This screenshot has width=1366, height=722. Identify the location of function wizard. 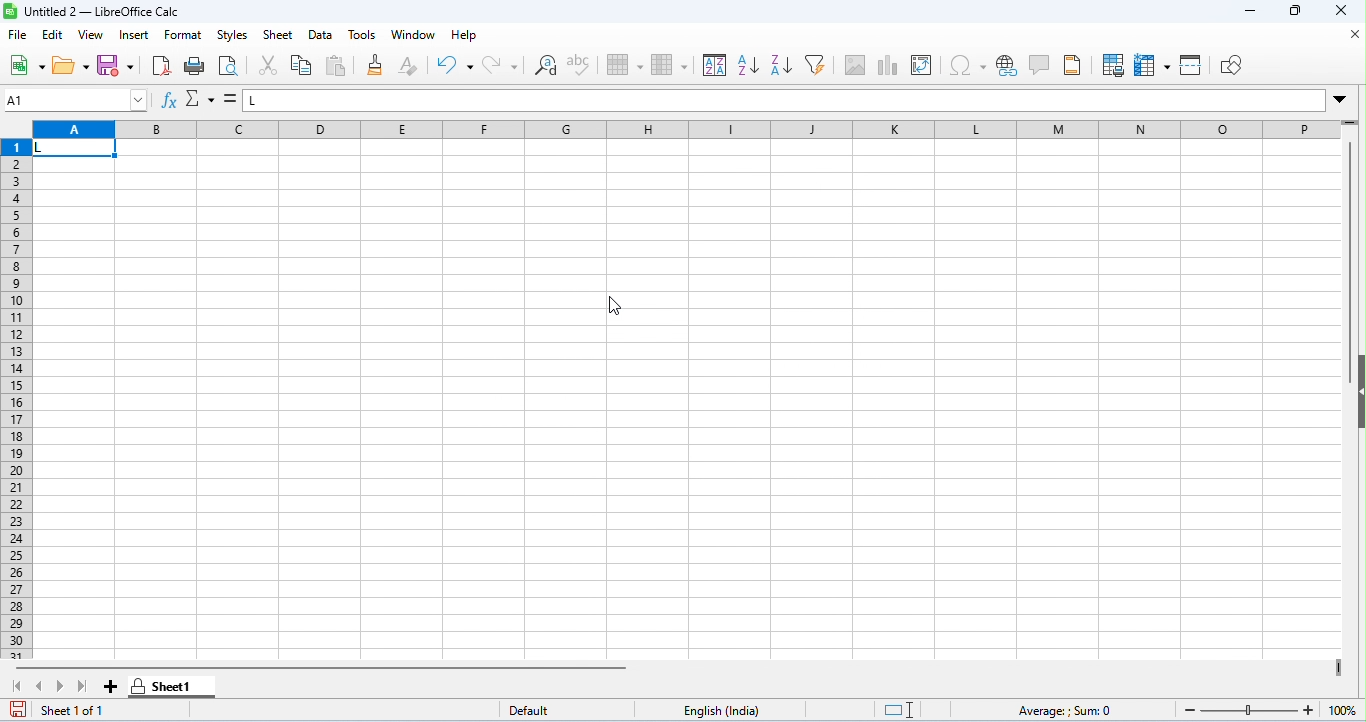
(171, 102).